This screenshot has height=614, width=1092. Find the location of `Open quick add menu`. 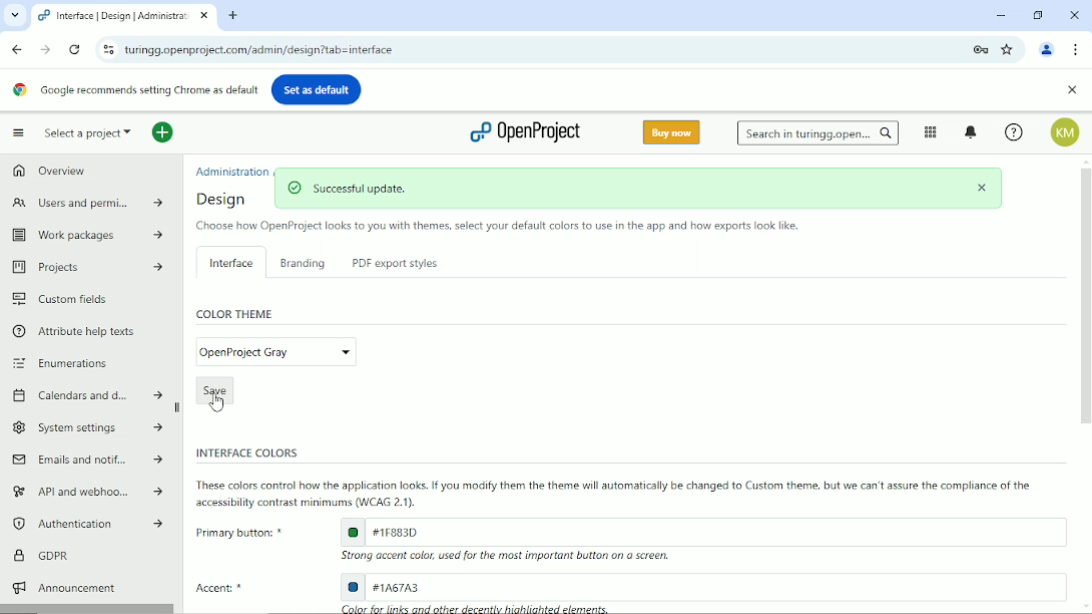

Open quick add menu is located at coordinates (162, 134).